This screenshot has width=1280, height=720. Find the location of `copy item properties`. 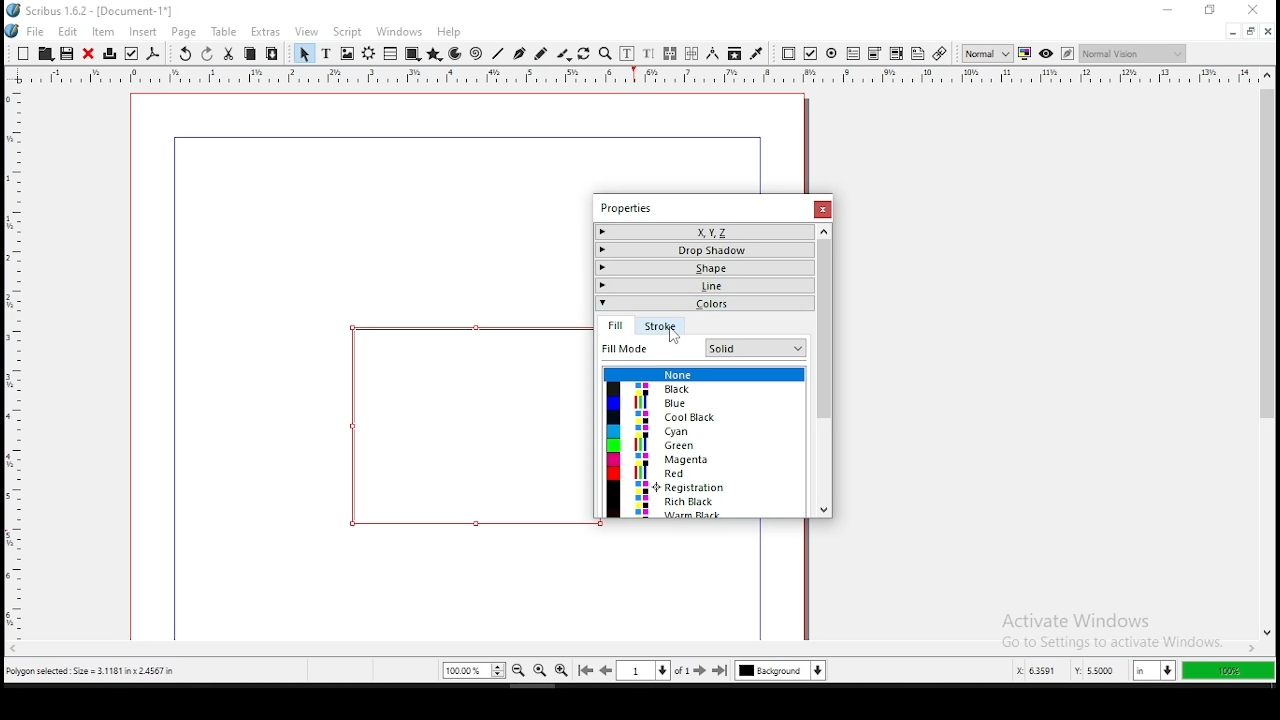

copy item properties is located at coordinates (734, 54).